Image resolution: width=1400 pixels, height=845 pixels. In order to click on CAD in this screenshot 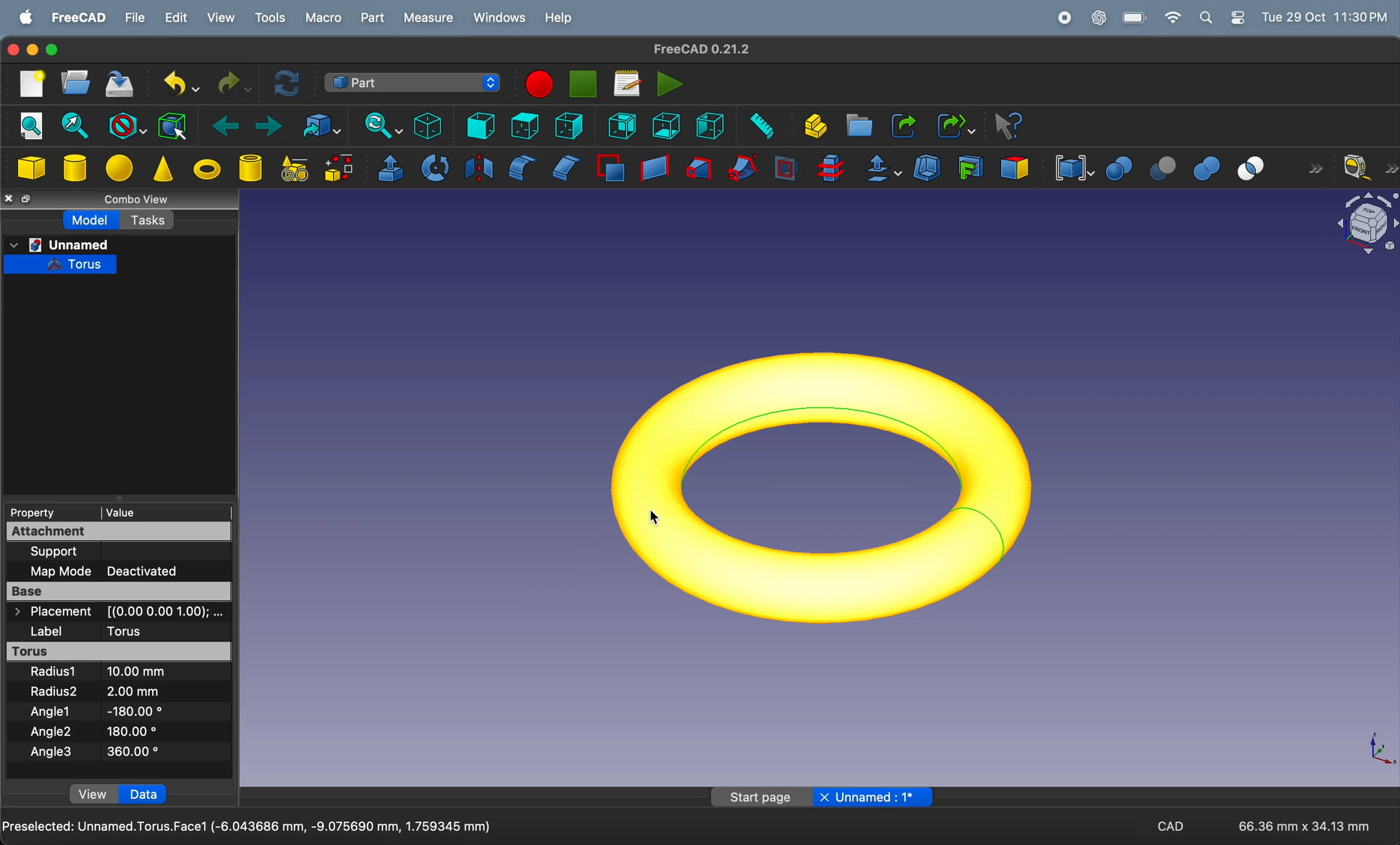, I will do `click(1170, 825)`.